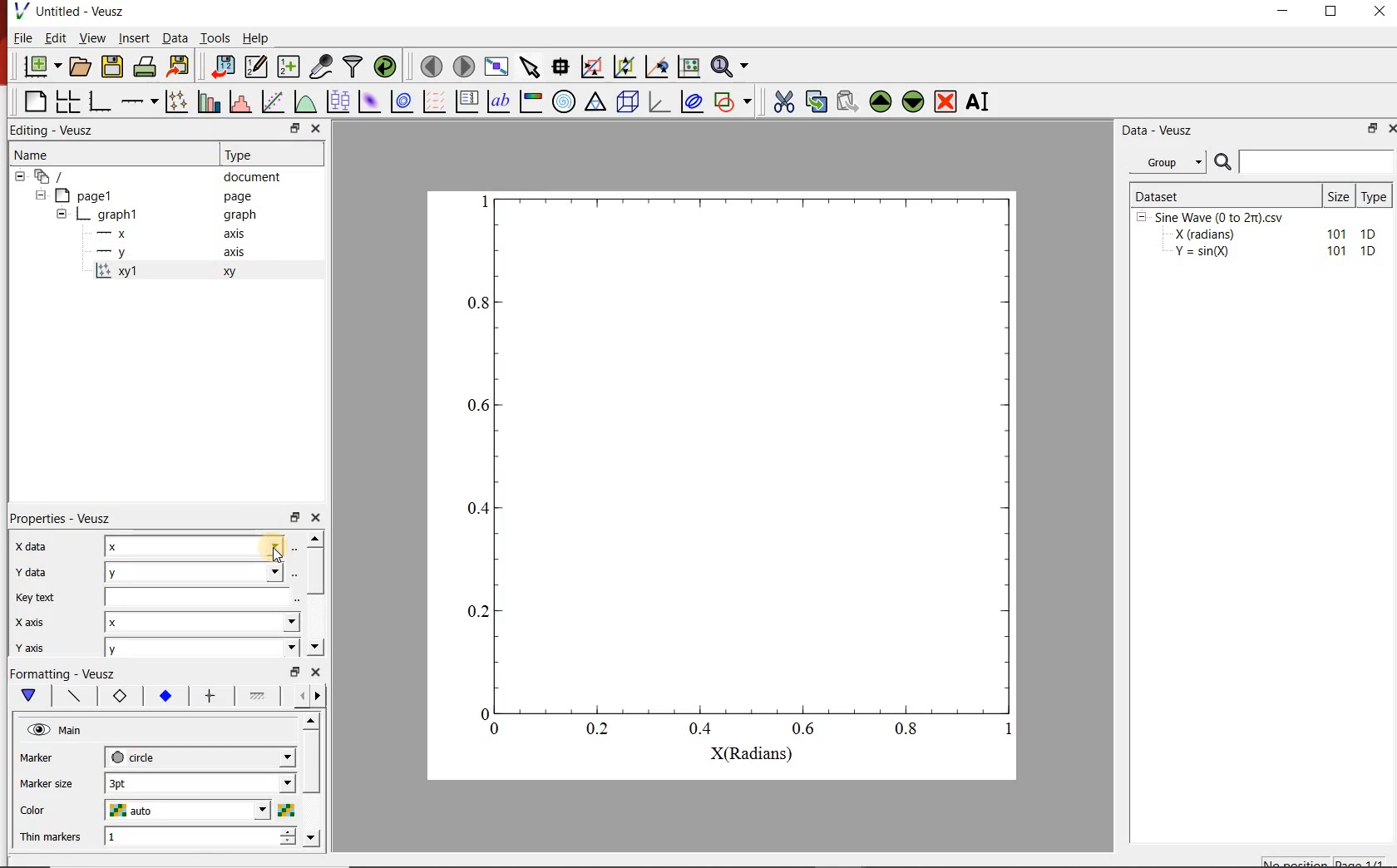  What do you see at coordinates (47, 756) in the screenshot?
I see `Marker size` at bounding box center [47, 756].